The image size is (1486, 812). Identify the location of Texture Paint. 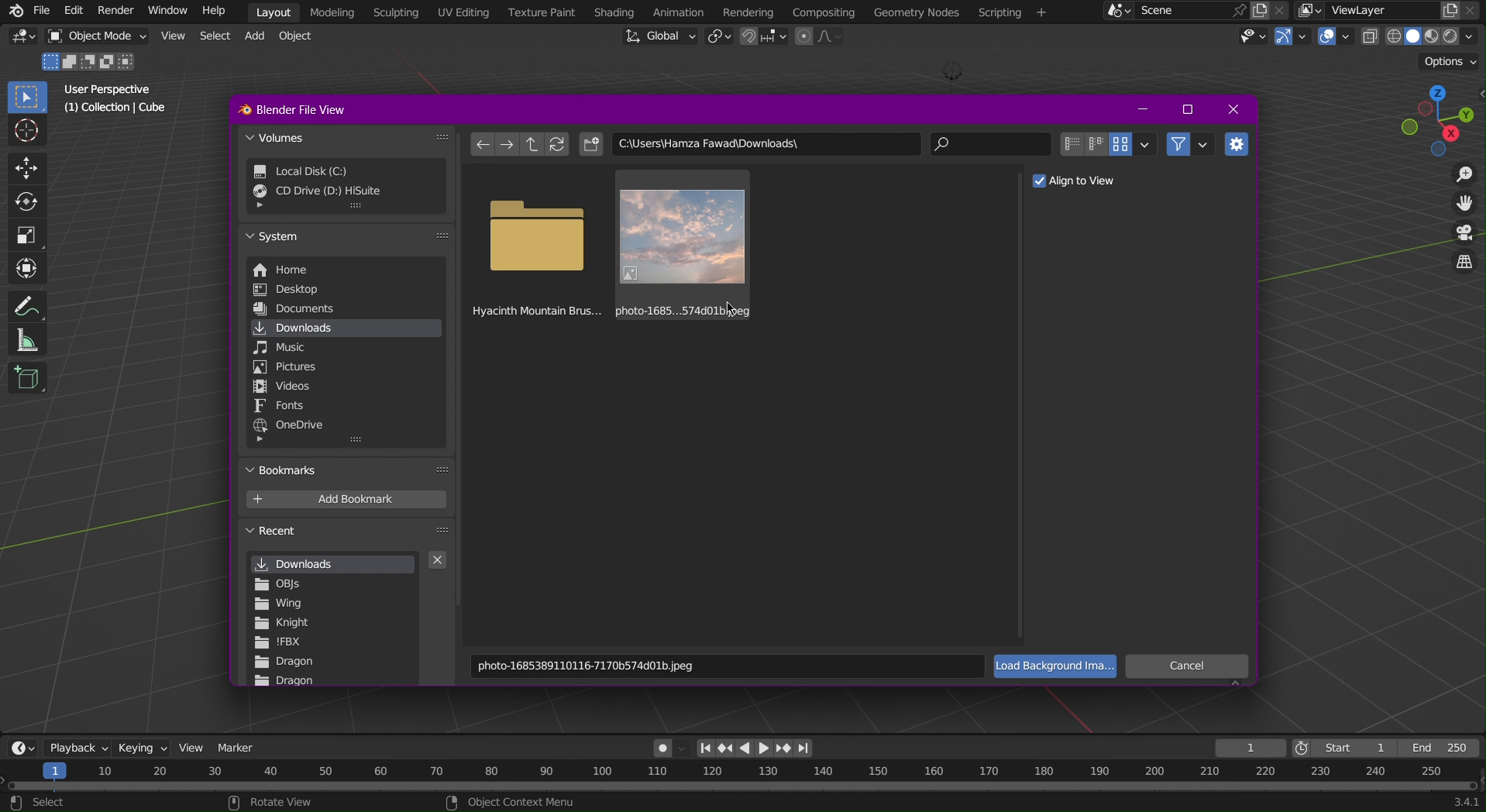
(540, 12).